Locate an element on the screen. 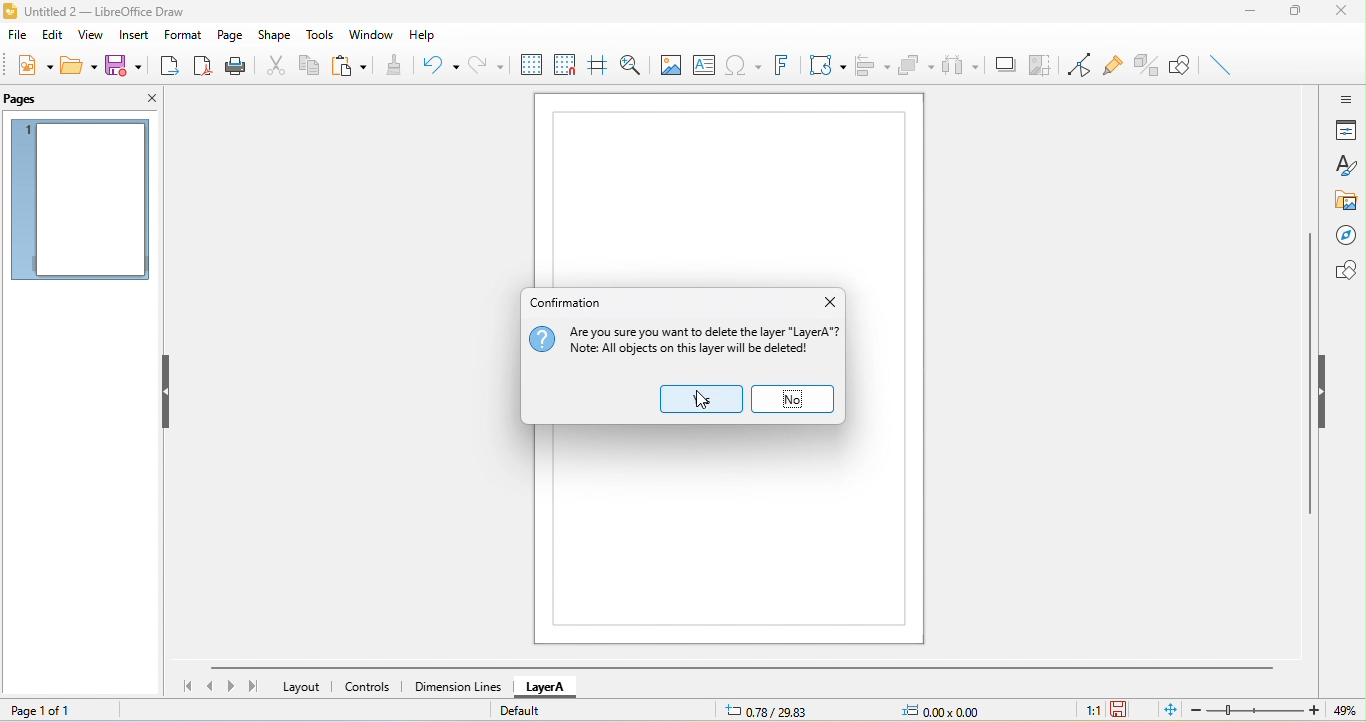 Image resolution: width=1366 pixels, height=722 pixels. text box is located at coordinates (702, 66).